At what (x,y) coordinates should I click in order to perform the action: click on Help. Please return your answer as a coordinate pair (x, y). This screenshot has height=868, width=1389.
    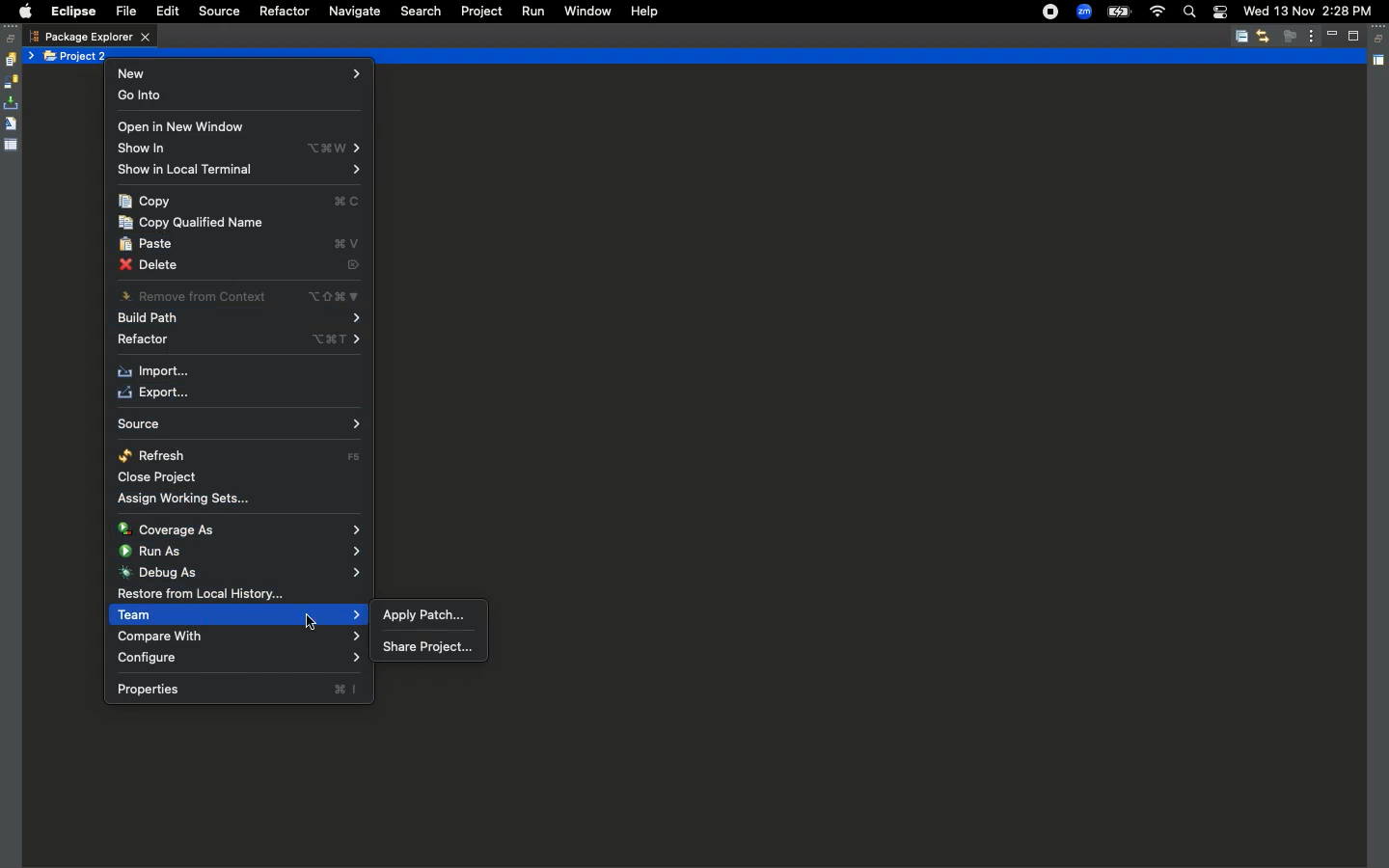
    Looking at the image, I should click on (641, 11).